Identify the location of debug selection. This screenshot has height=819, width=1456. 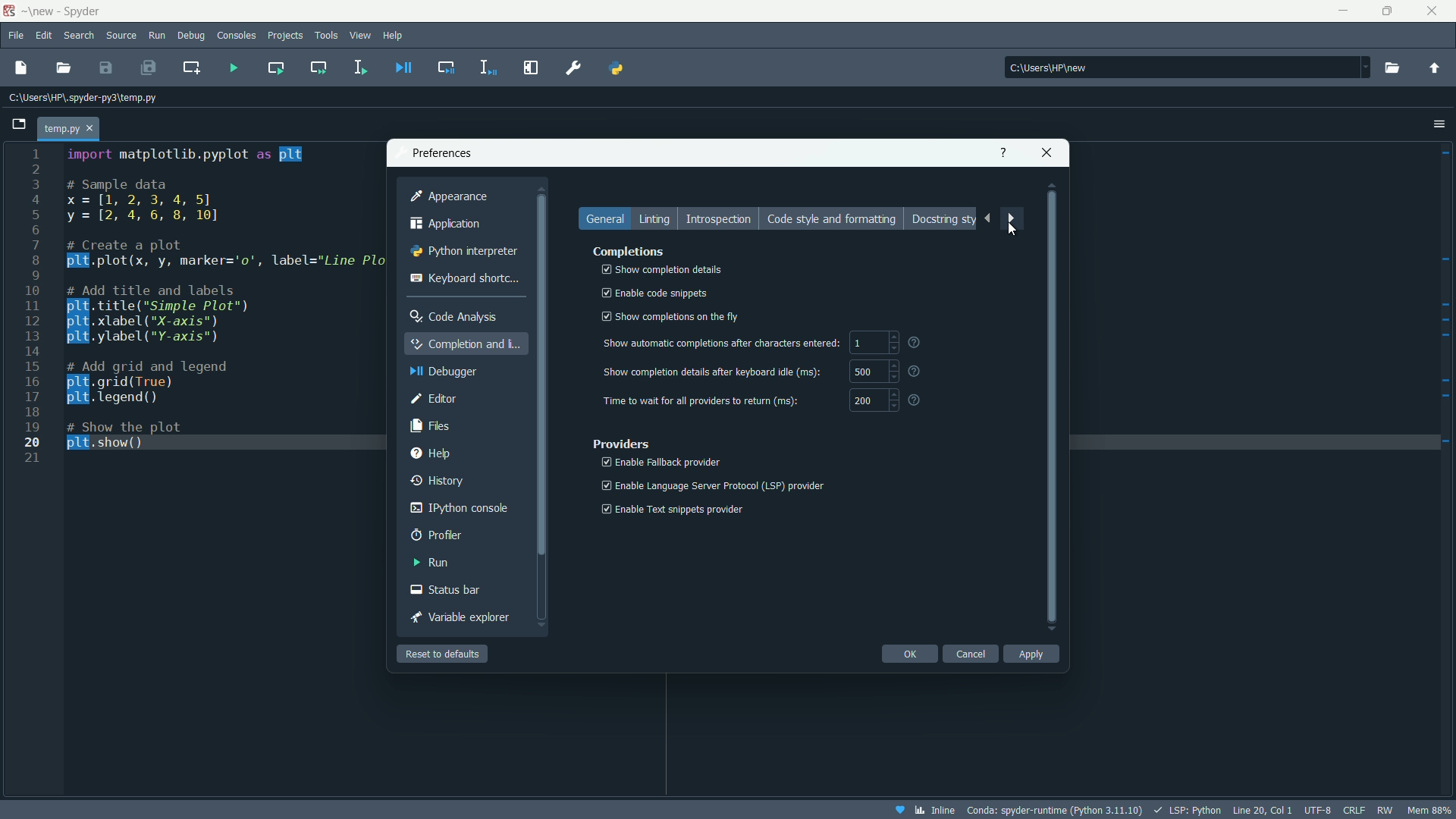
(489, 67).